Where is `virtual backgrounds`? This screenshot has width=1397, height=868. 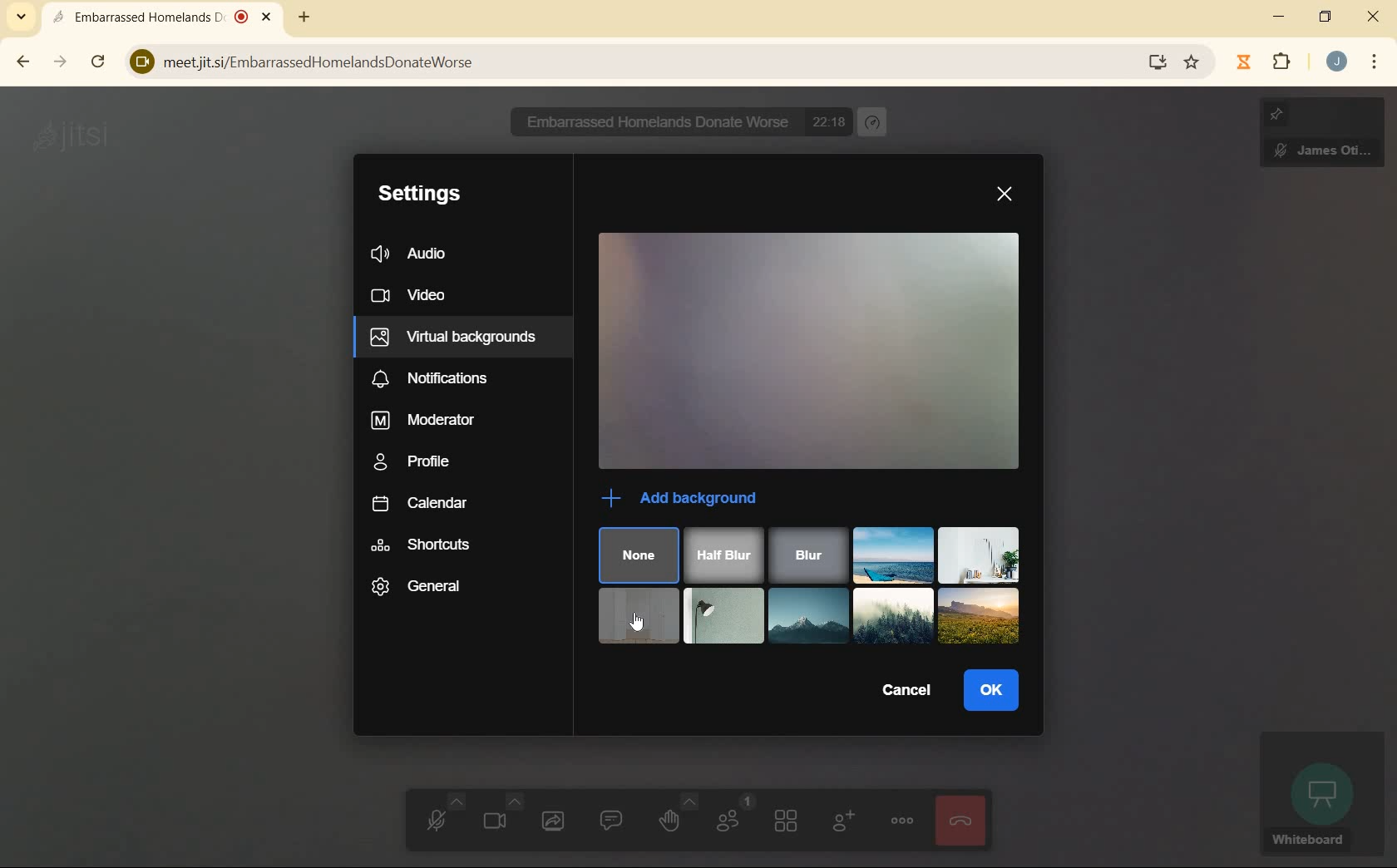
virtual backgrounds is located at coordinates (456, 335).